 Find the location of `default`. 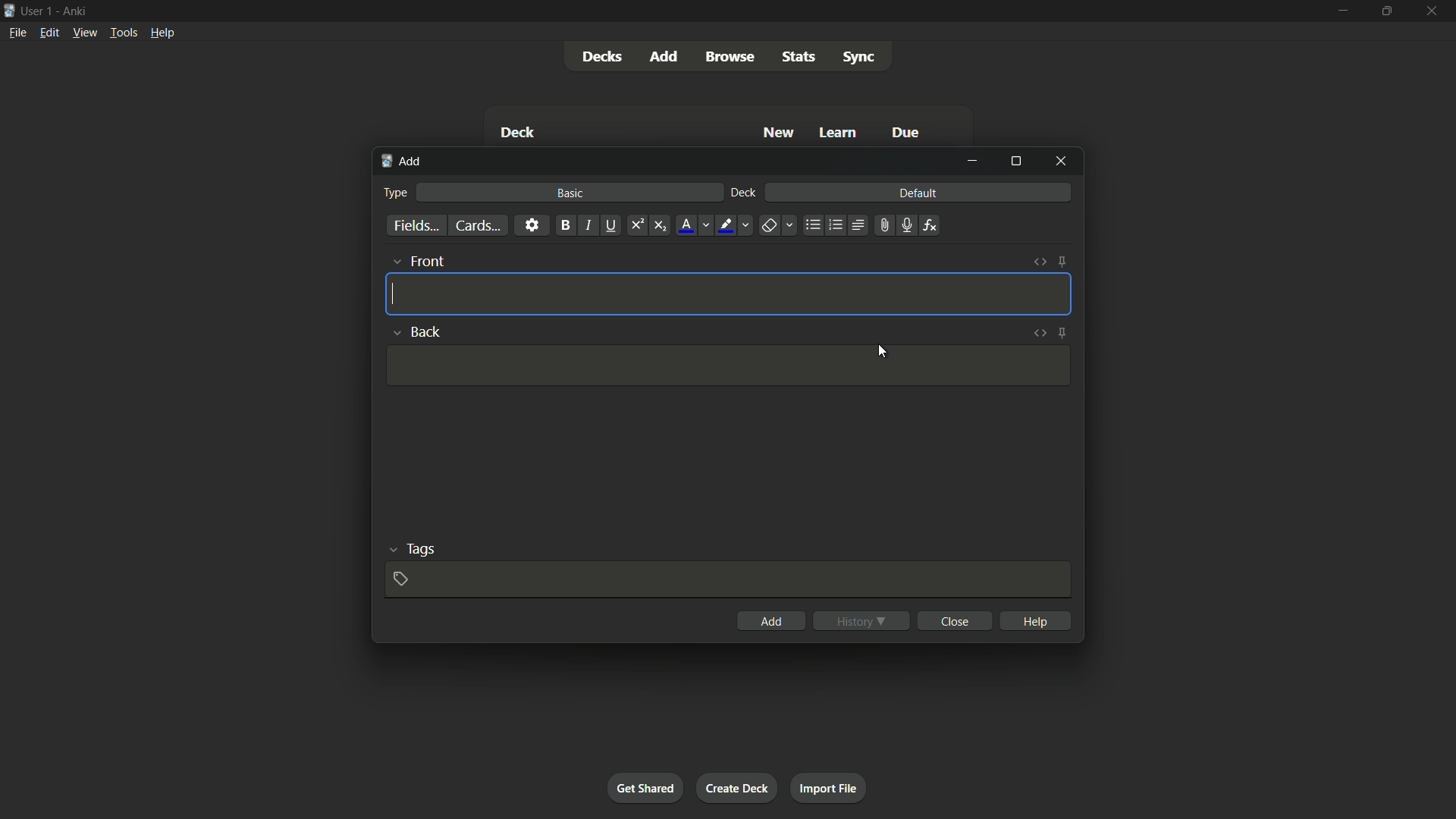

default is located at coordinates (918, 192).